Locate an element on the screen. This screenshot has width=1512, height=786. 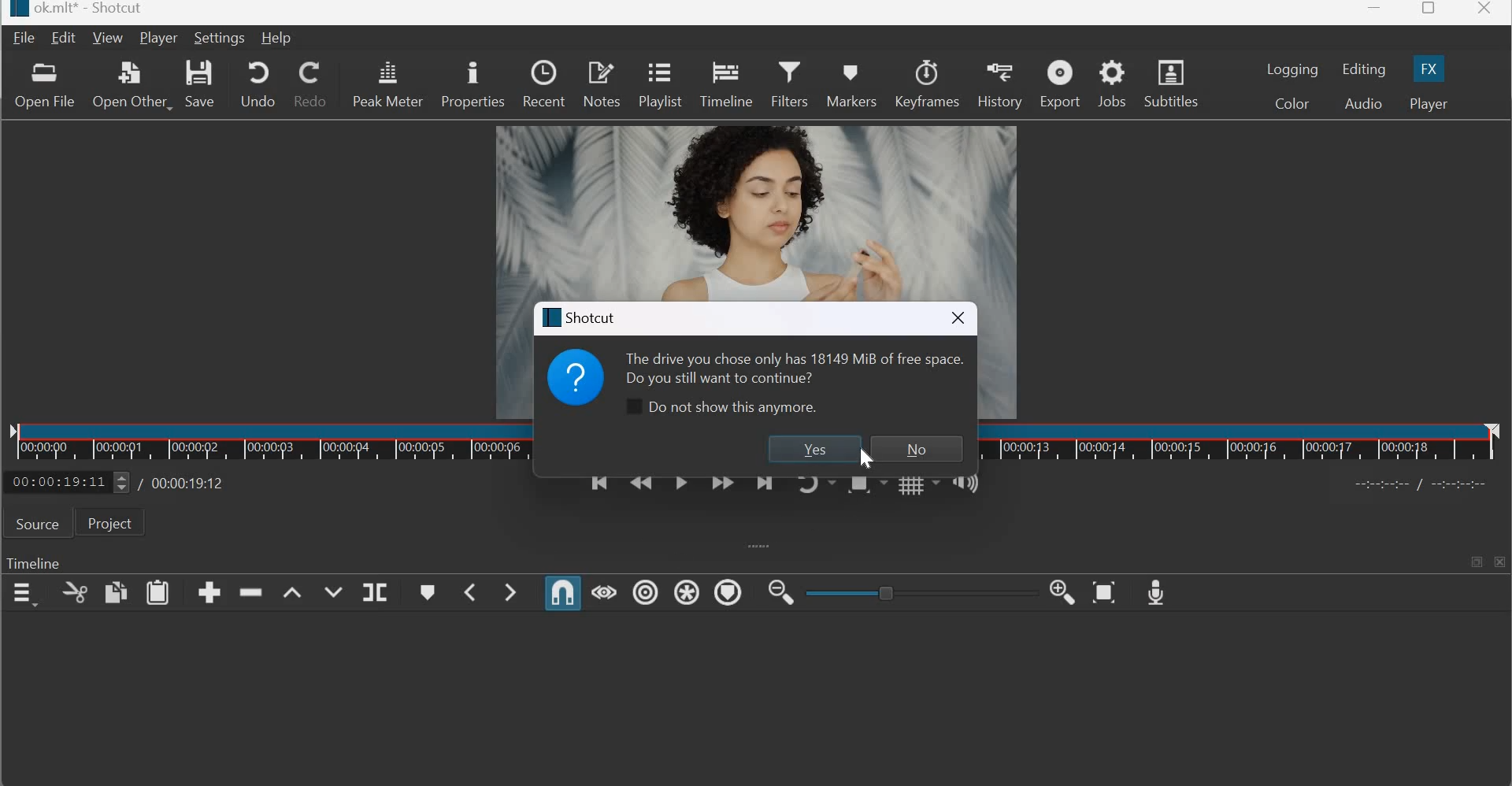
copy is located at coordinates (76, 592).